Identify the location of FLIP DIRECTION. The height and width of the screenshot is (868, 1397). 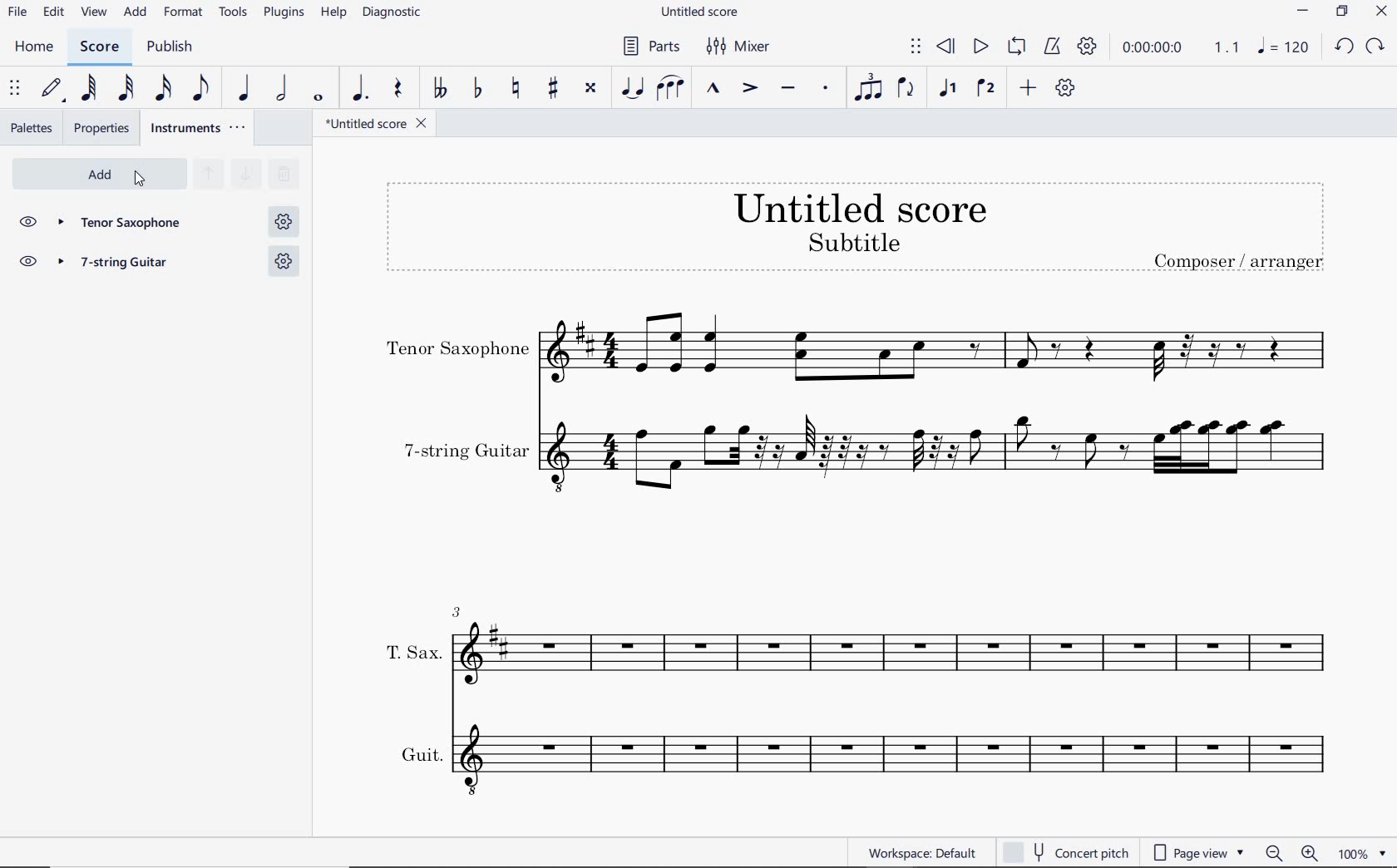
(906, 89).